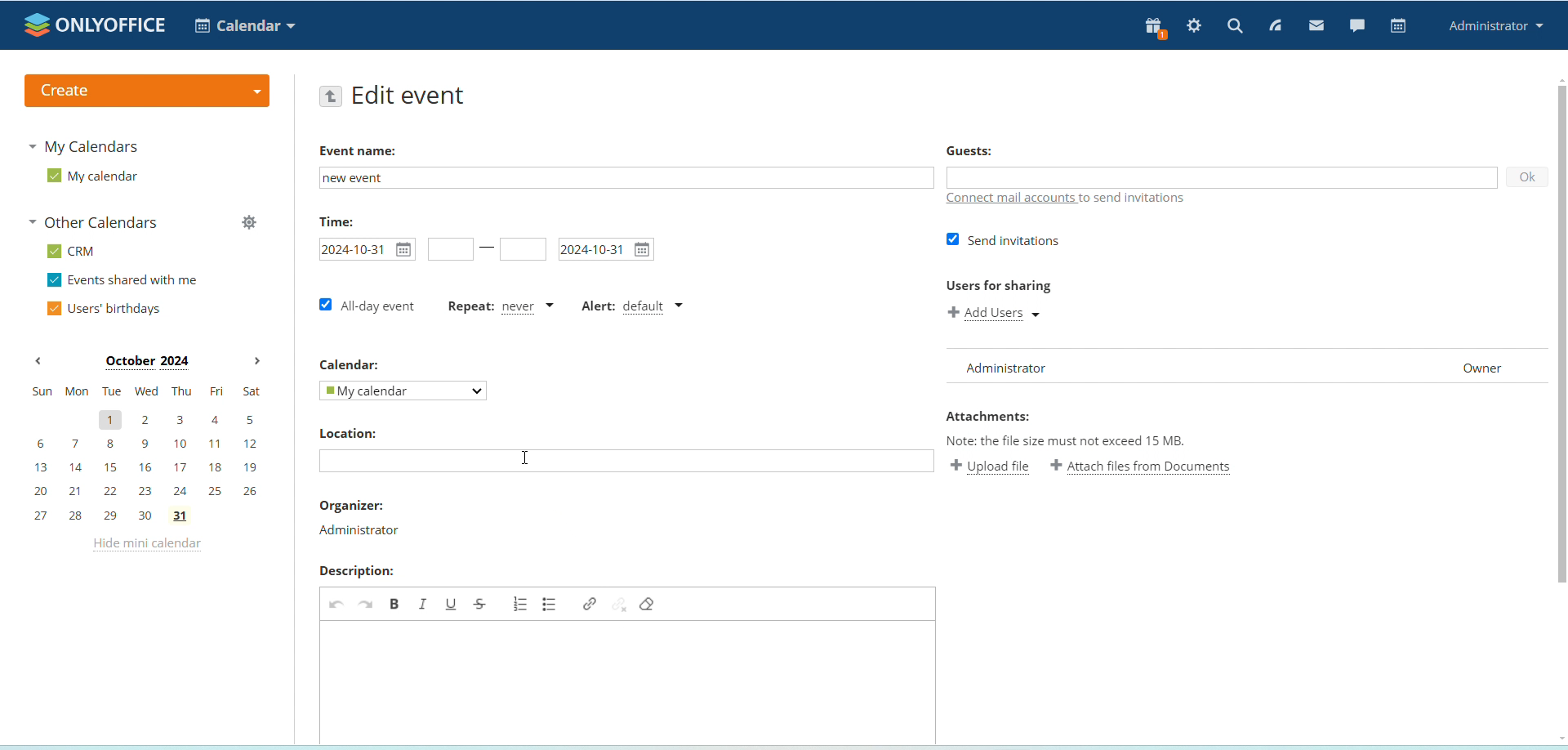 Image resolution: width=1568 pixels, height=750 pixels. Describe the element at coordinates (991, 466) in the screenshot. I see `upload file` at that location.